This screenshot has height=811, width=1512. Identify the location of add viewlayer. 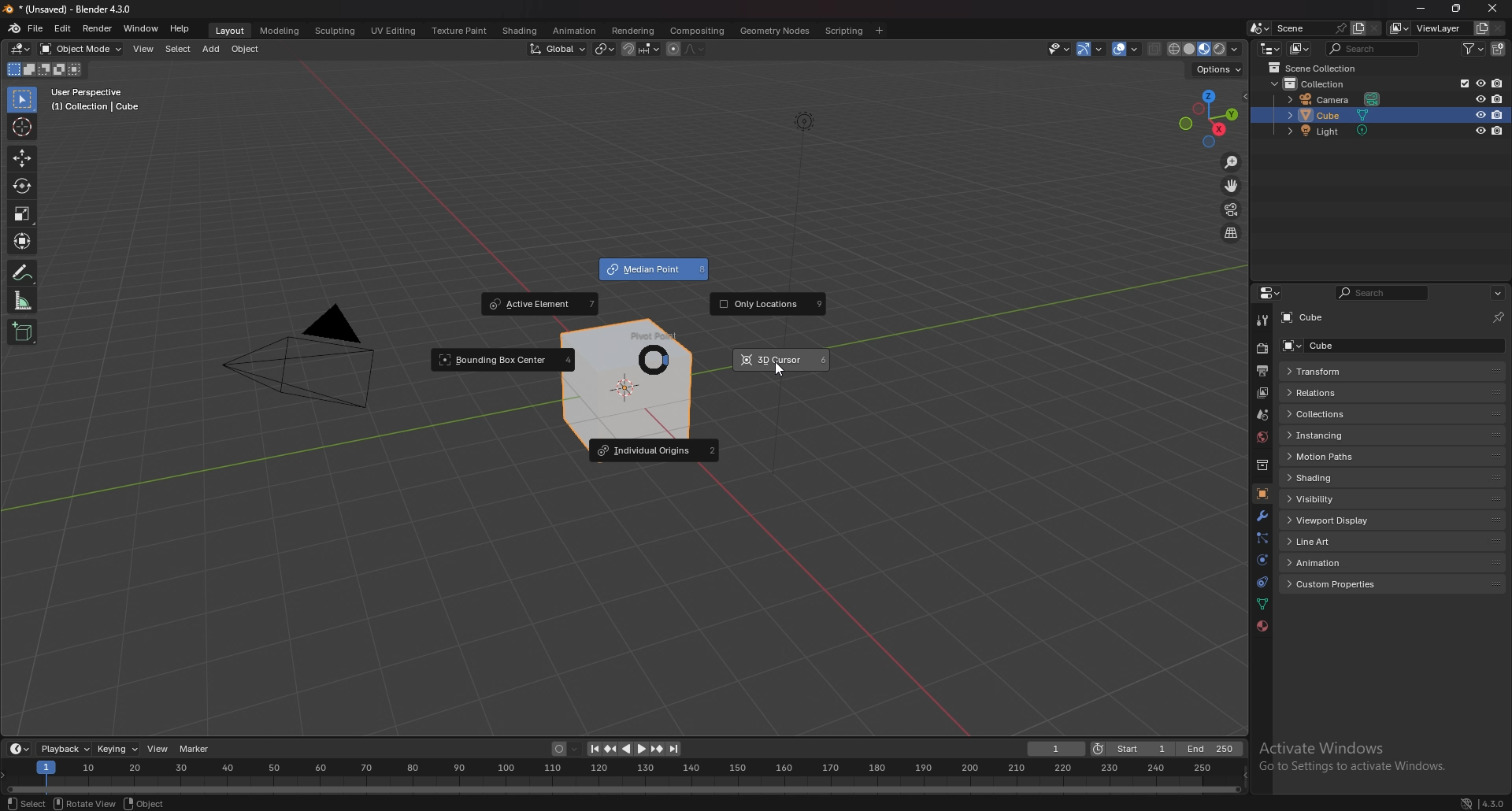
(1480, 28).